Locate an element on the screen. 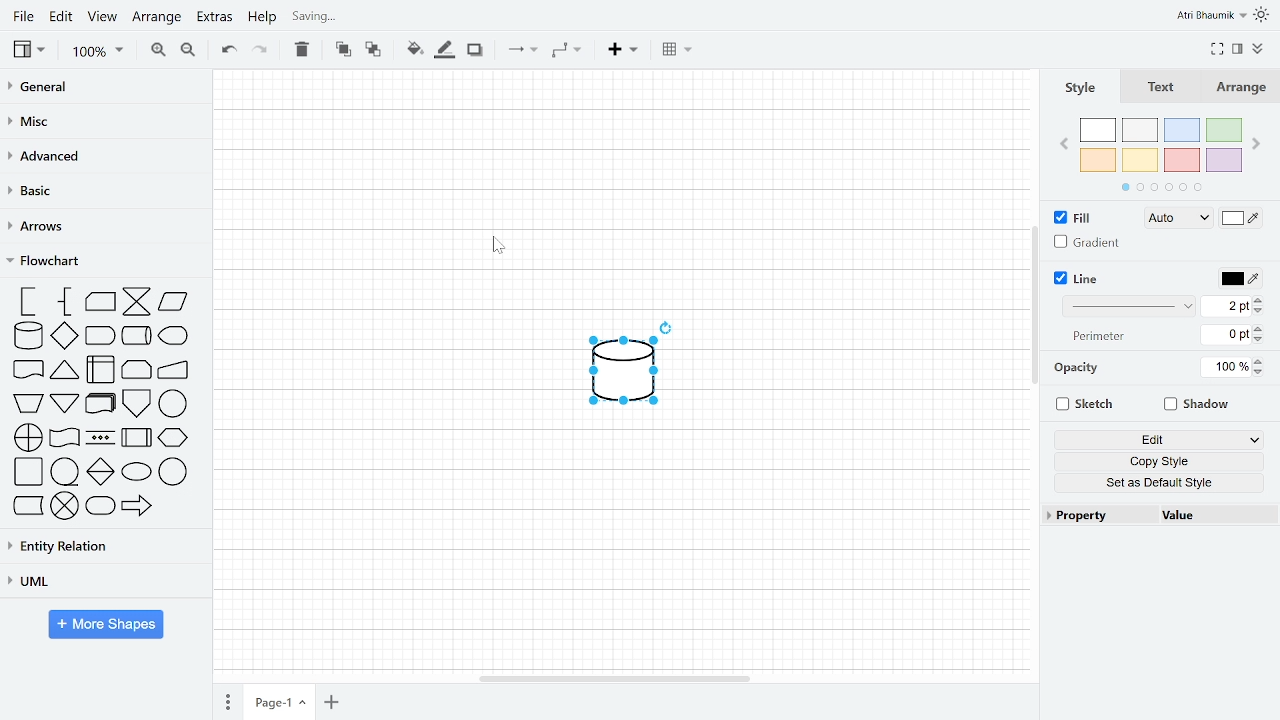 This screenshot has width=1280, height=720. Themes is located at coordinates (1264, 15).